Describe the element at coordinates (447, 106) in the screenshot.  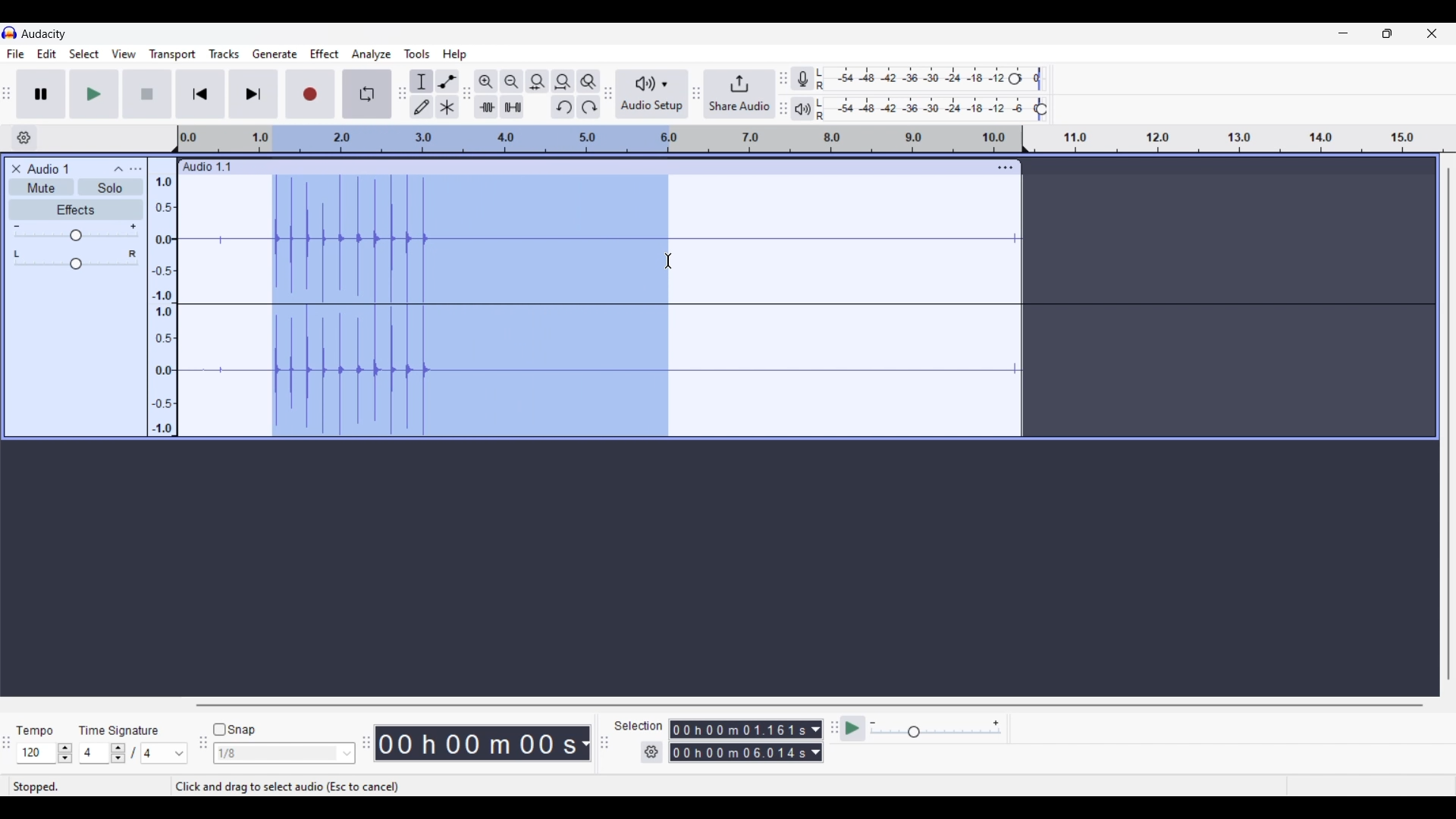
I see `Multi-tool` at that location.